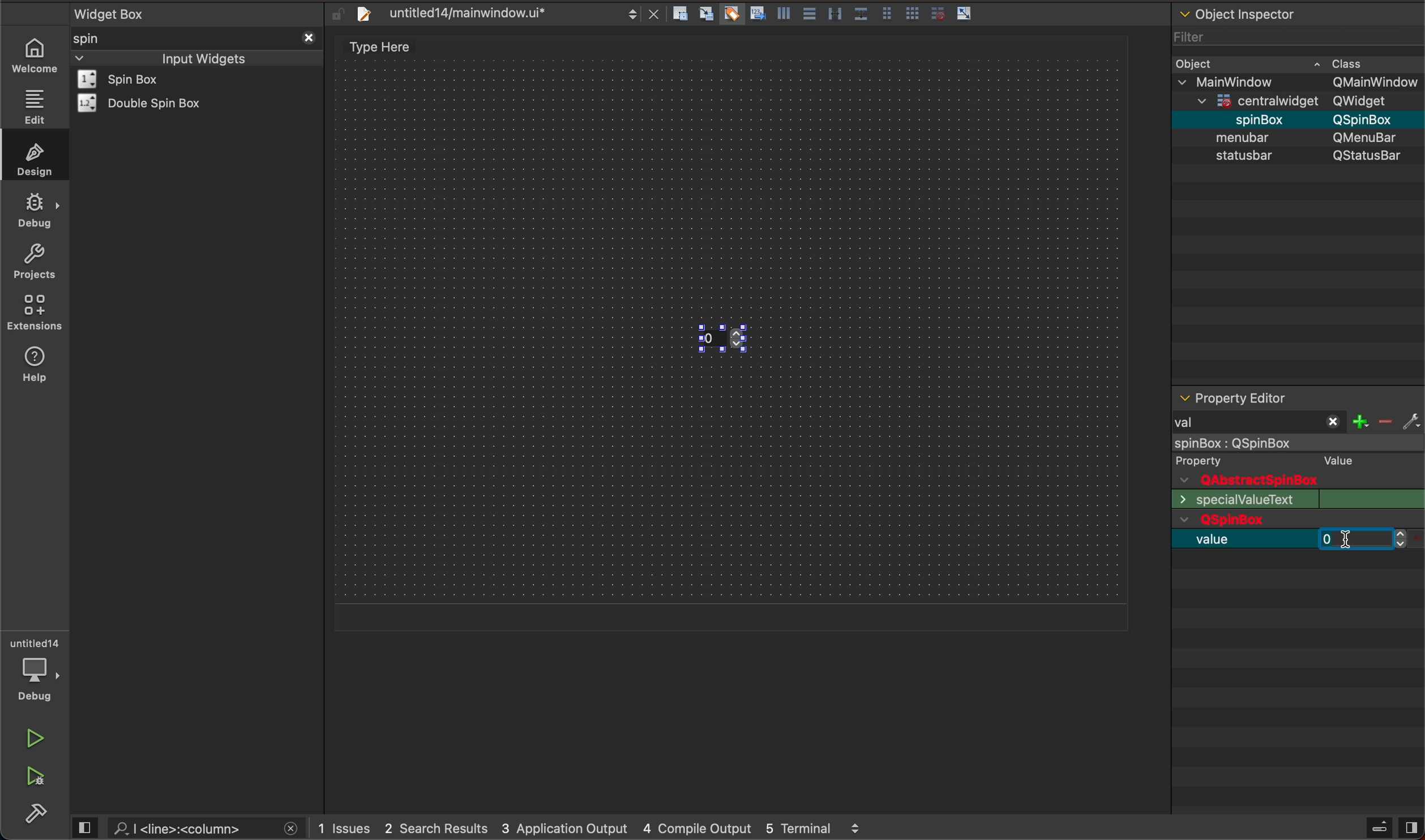  I want to click on close, so click(307, 36).